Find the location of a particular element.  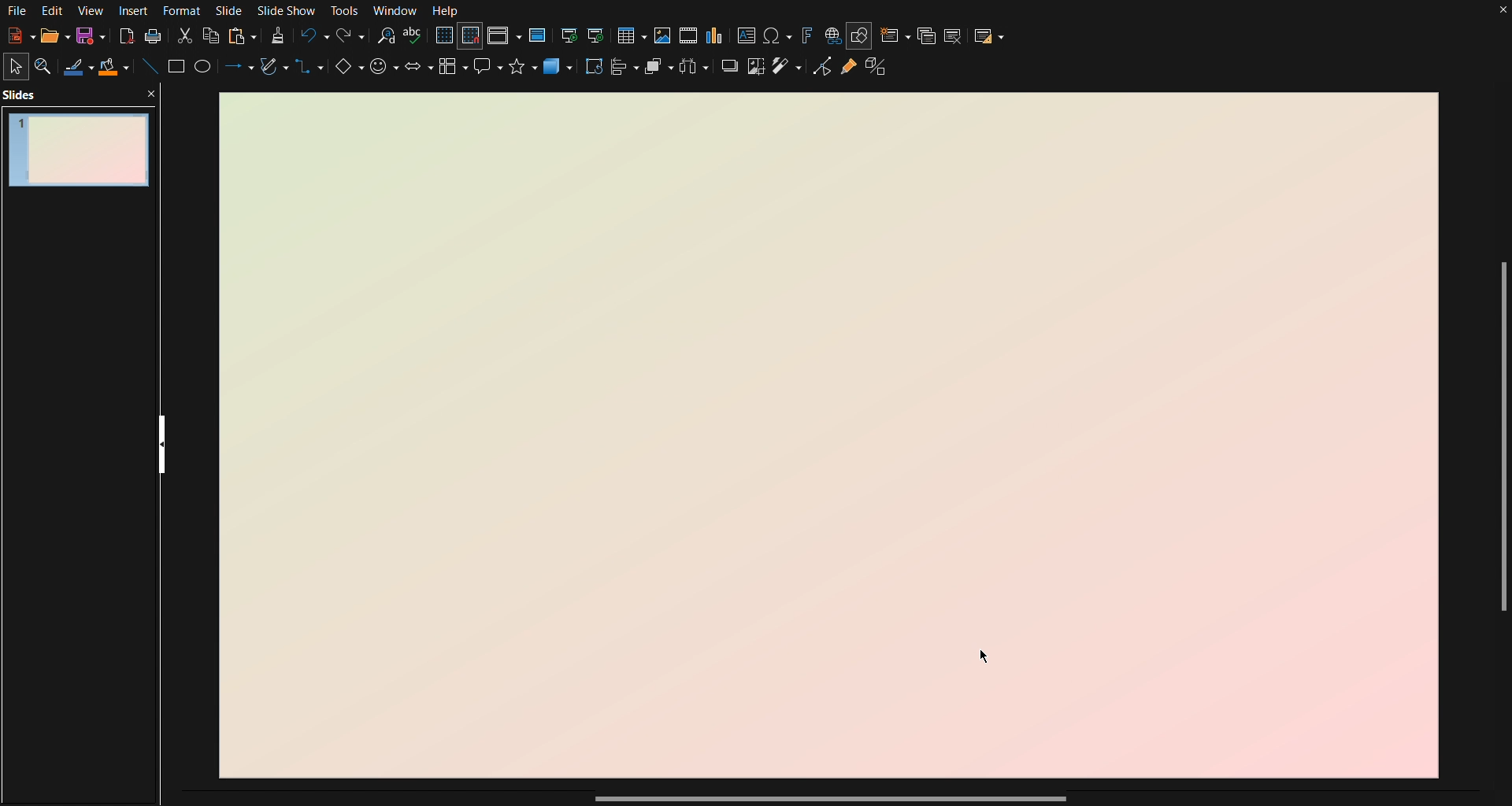

Extrude is located at coordinates (882, 72).